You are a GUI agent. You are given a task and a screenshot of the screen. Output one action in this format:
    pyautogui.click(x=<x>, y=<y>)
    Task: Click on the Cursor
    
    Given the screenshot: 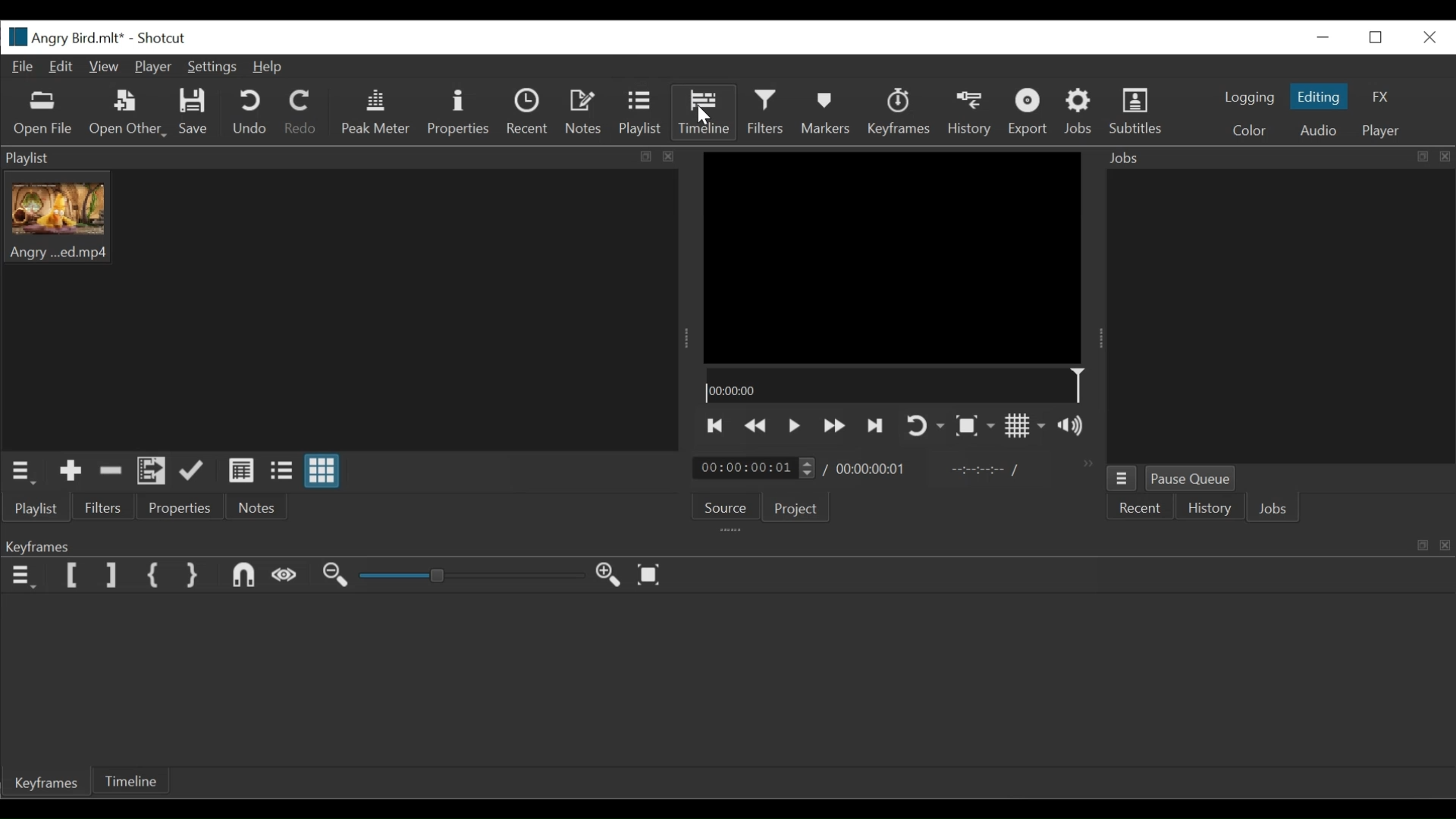 What is the action you would take?
    pyautogui.click(x=704, y=116)
    